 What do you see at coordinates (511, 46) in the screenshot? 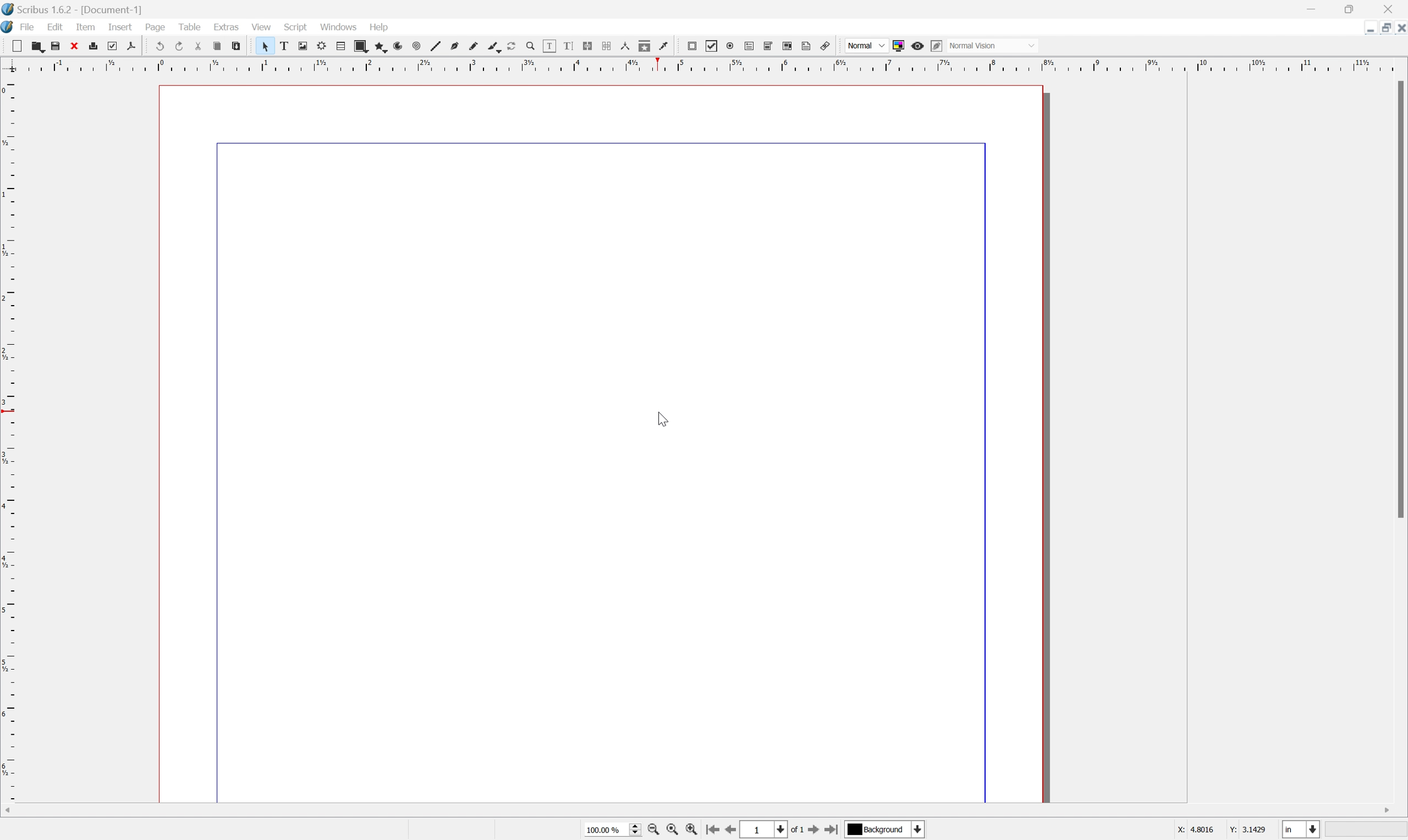
I see `rotate item` at bounding box center [511, 46].